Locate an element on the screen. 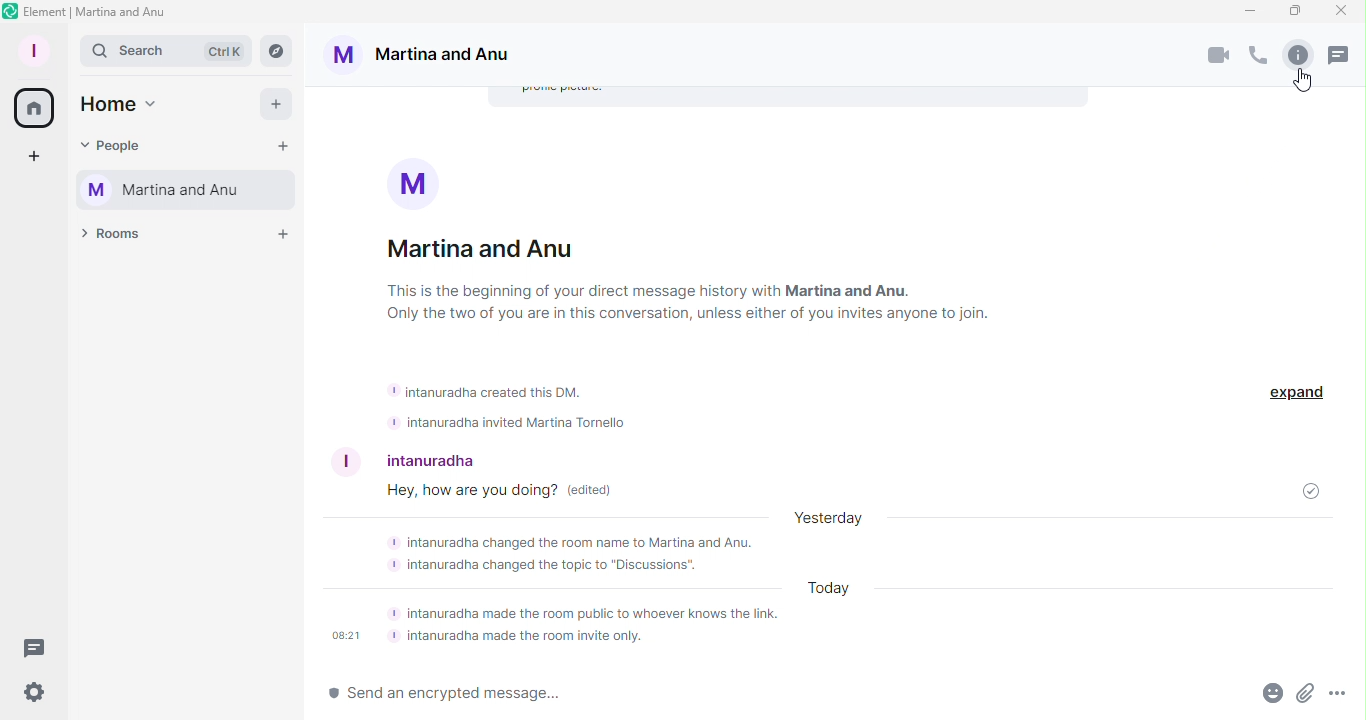 The image size is (1366, 720). Attachment is located at coordinates (1304, 697).